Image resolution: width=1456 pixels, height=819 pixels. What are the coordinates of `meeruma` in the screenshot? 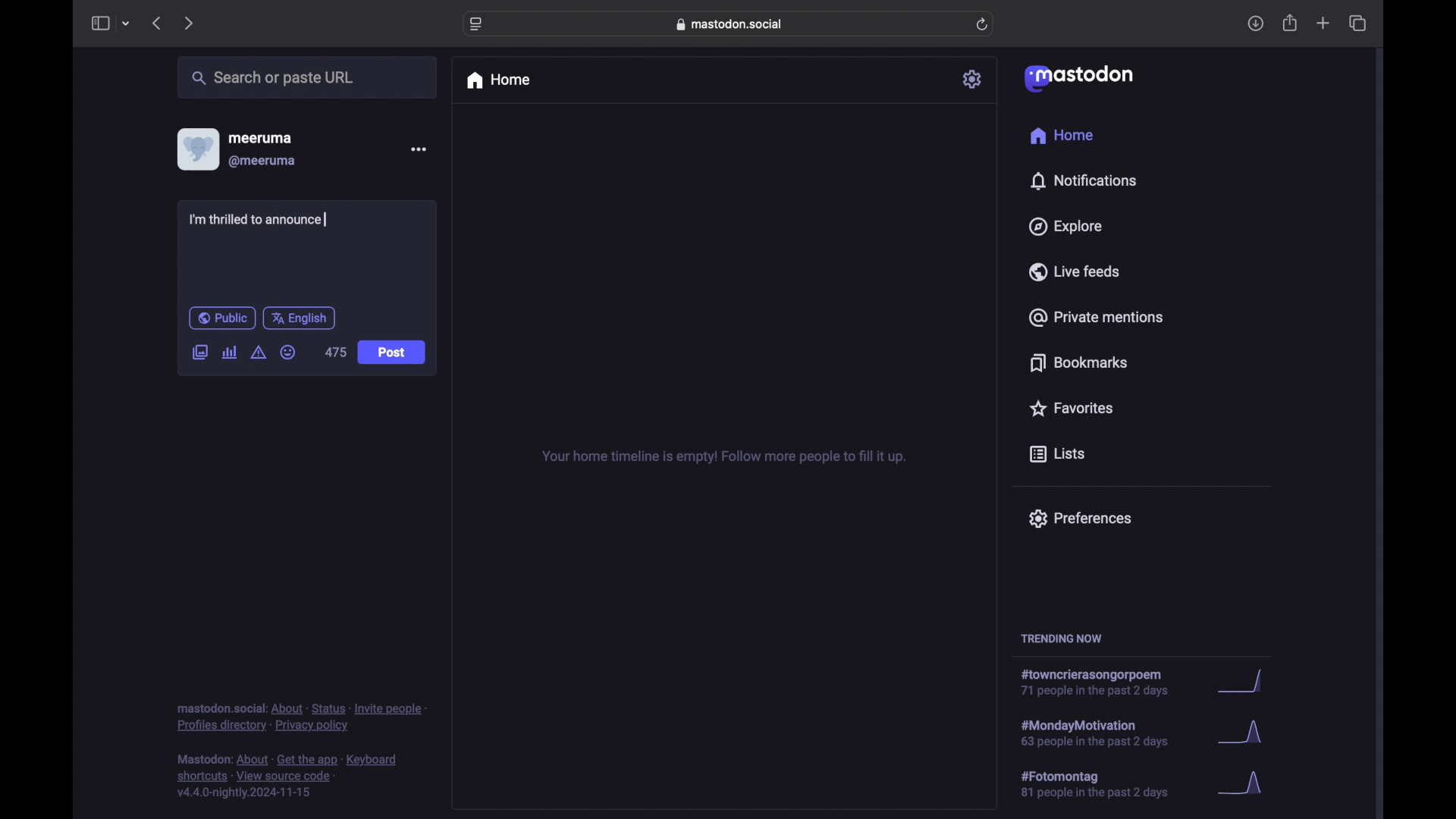 It's located at (260, 138).